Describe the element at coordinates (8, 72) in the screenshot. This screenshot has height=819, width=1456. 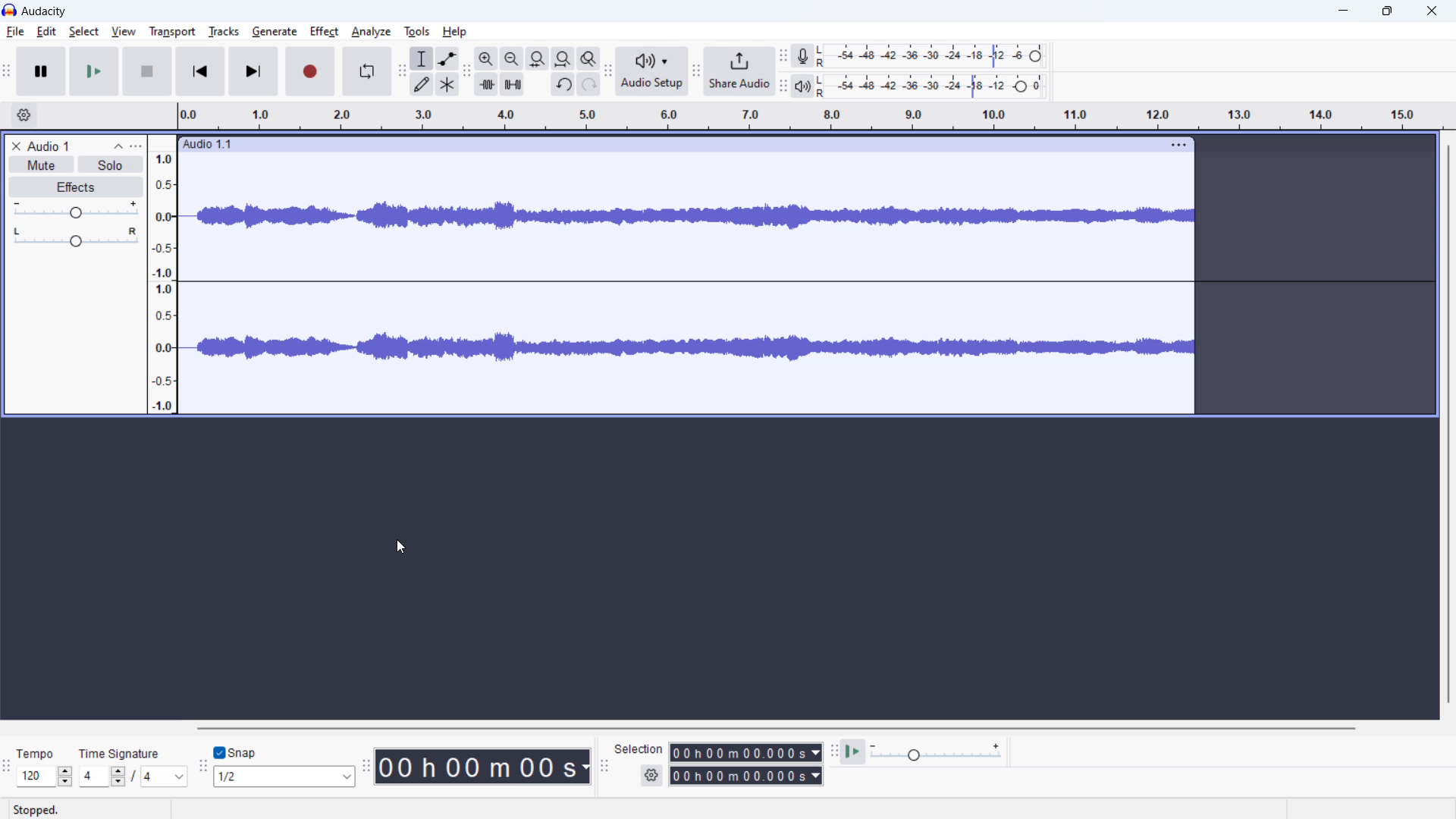
I see `transport toolbar` at that location.